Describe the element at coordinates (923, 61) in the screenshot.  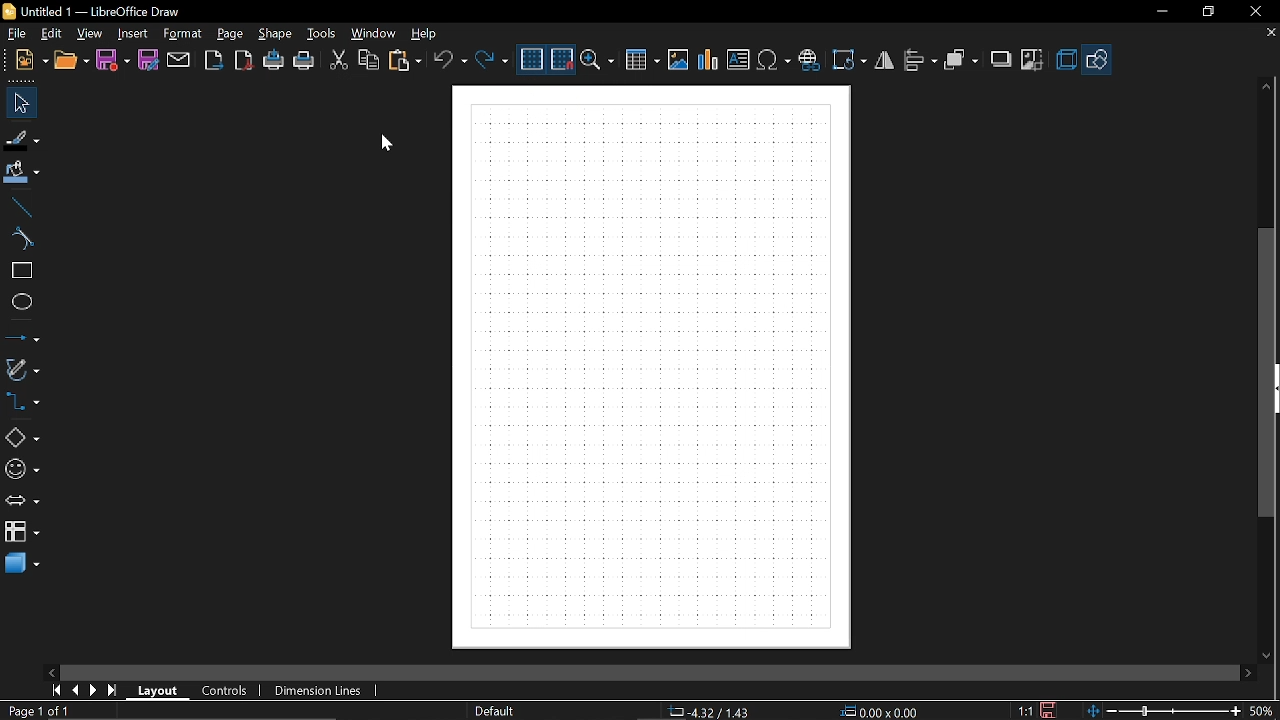
I see `align` at that location.